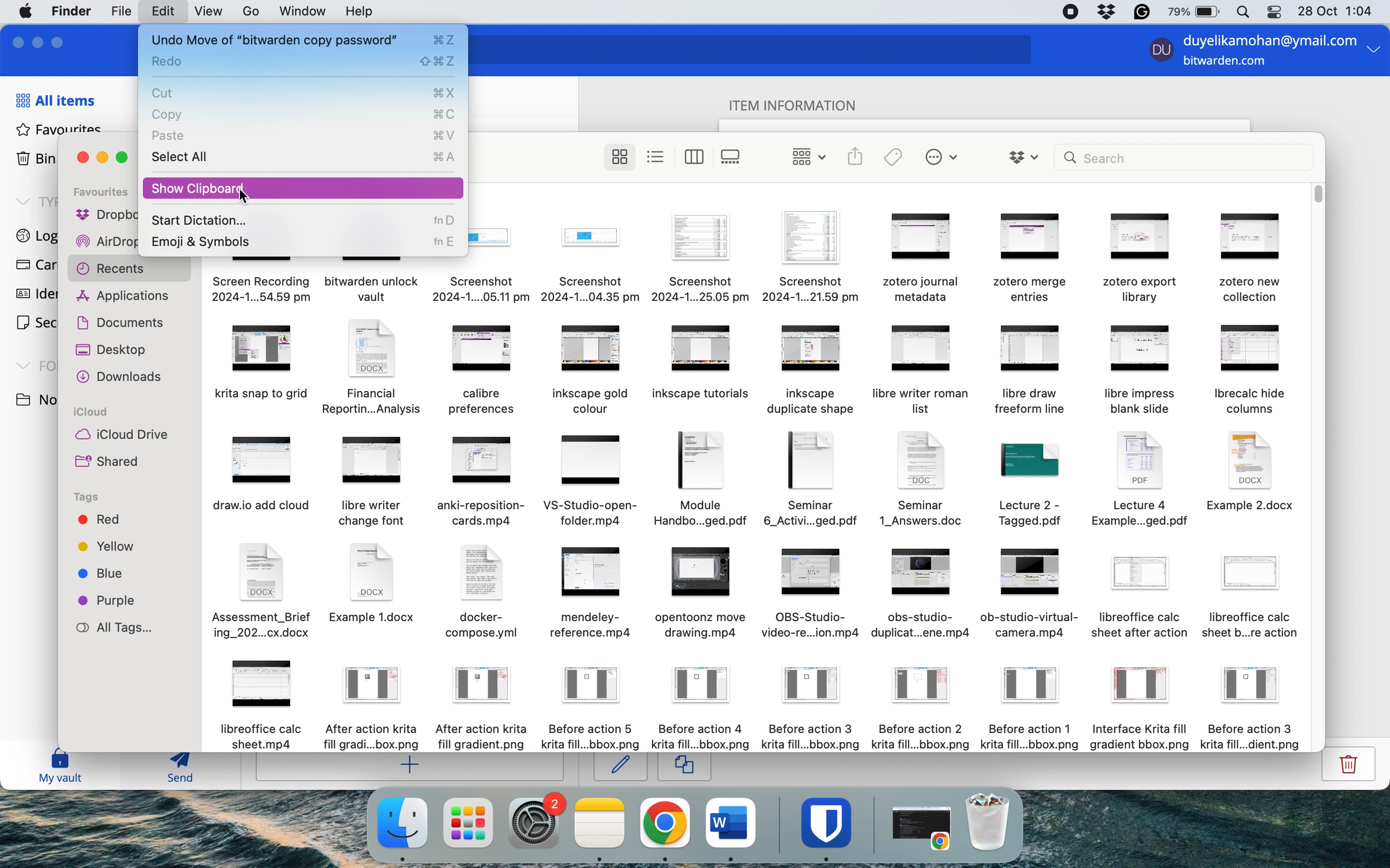 Image resolution: width=1390 pixels, height=868 pixels. What do you see at coordinates (111, 463) in the screenshot?
I see `shared` at bounding box center [111, 463].